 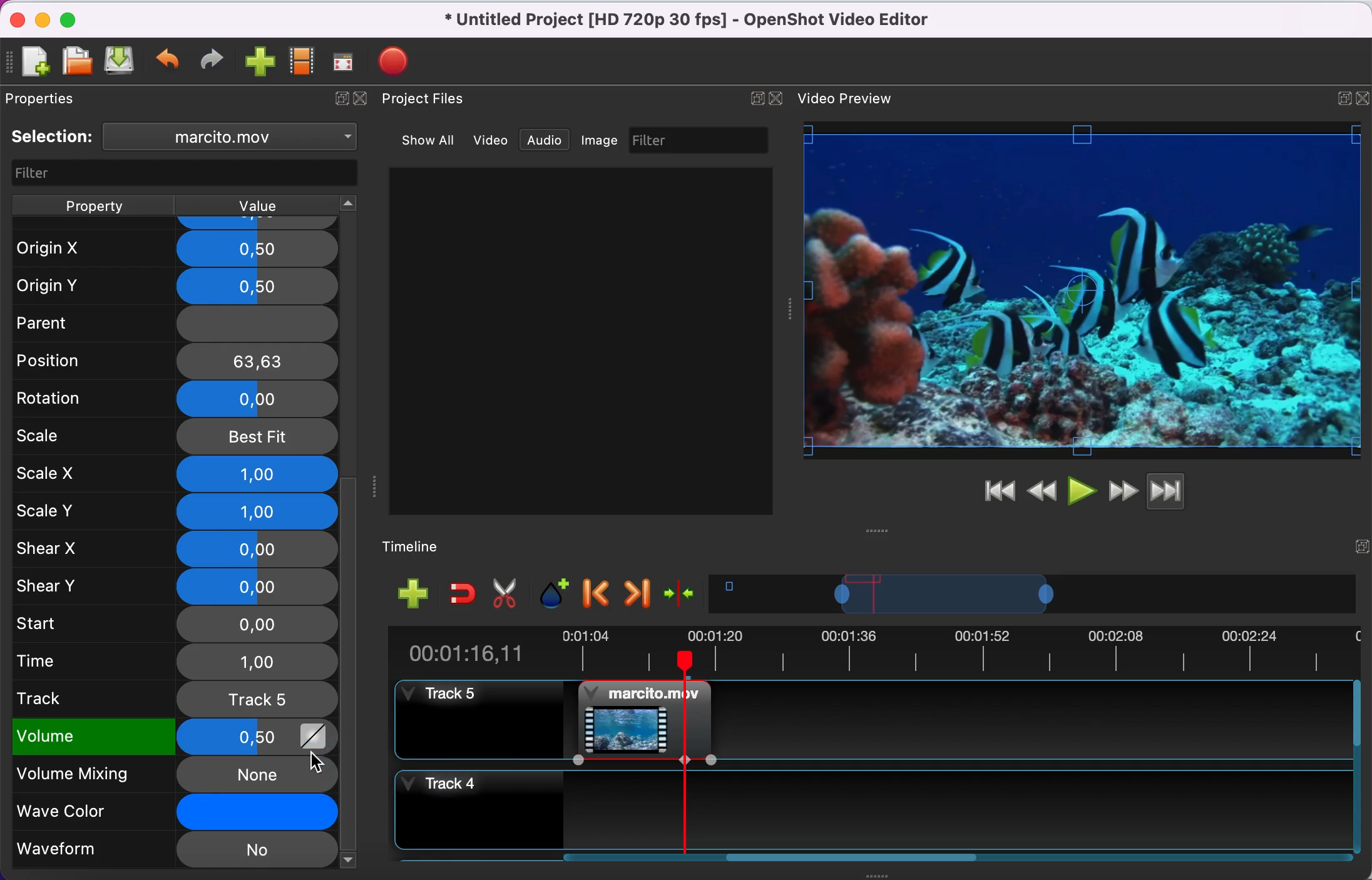 I want to click on track 4, so click(x=874, y=805).